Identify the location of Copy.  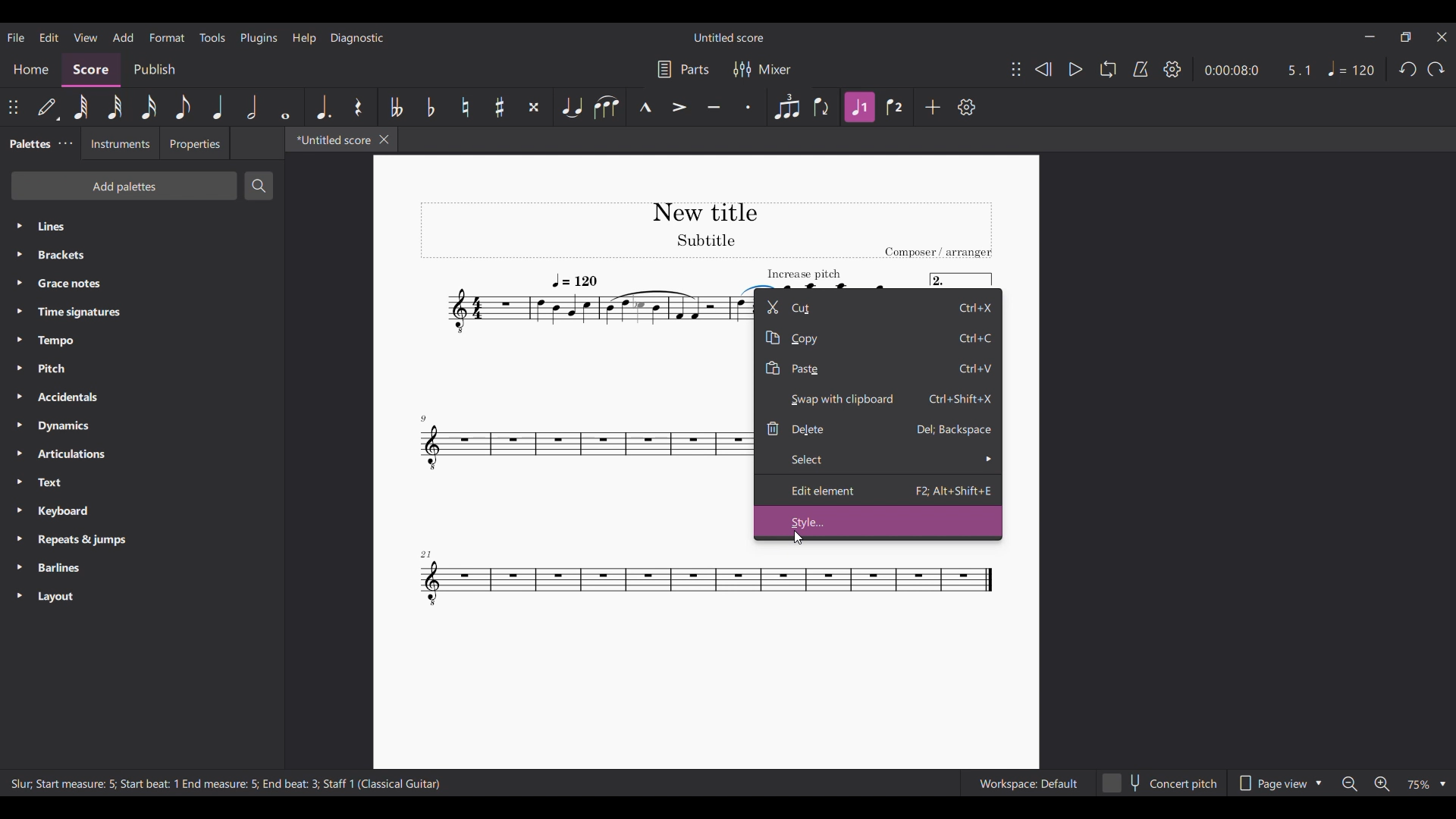
(878, 337).